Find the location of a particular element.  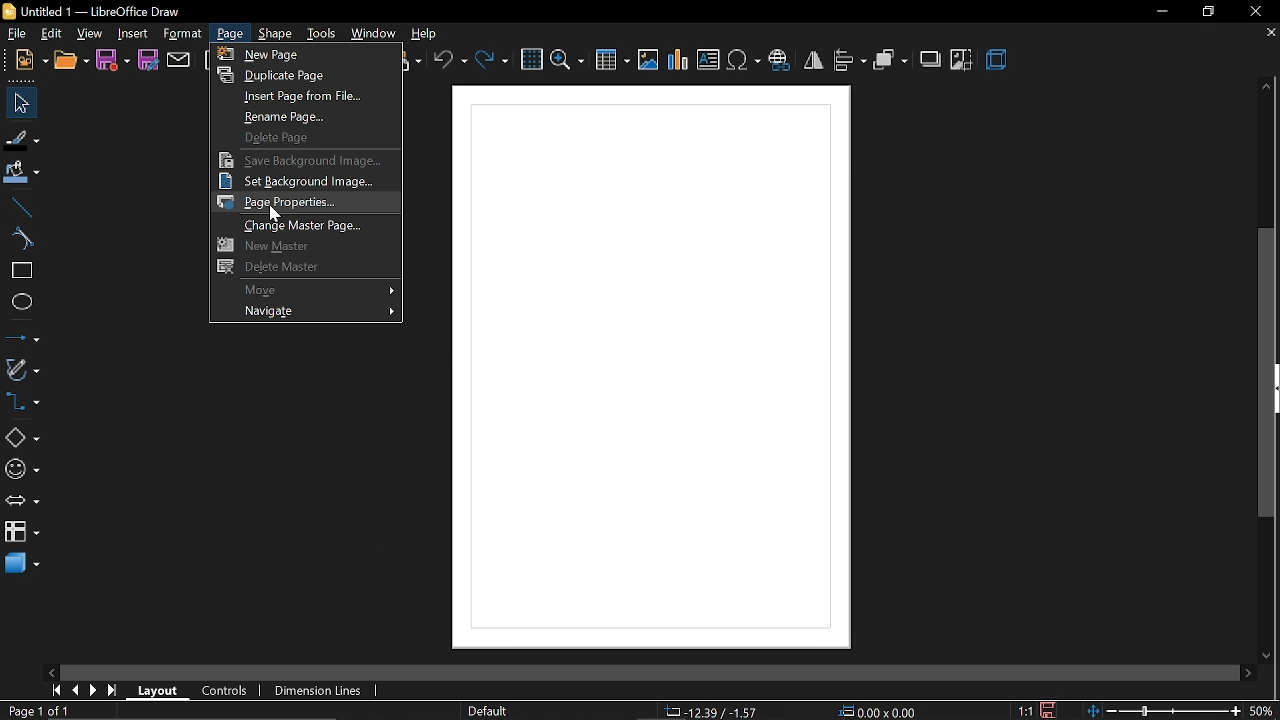

next page is located at coordinates (96, 692).